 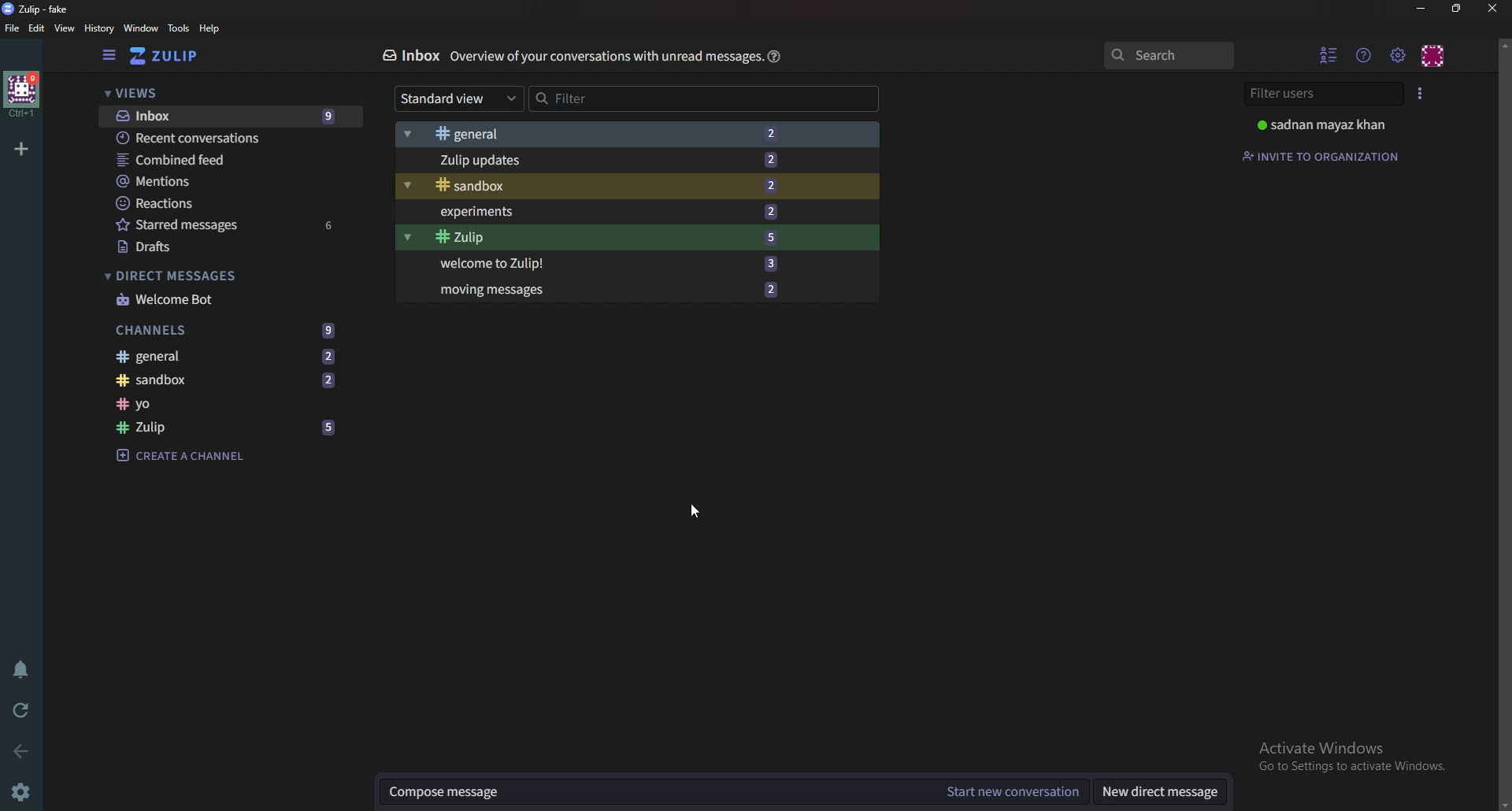 I want to click on help, so click(x=776, y=56).